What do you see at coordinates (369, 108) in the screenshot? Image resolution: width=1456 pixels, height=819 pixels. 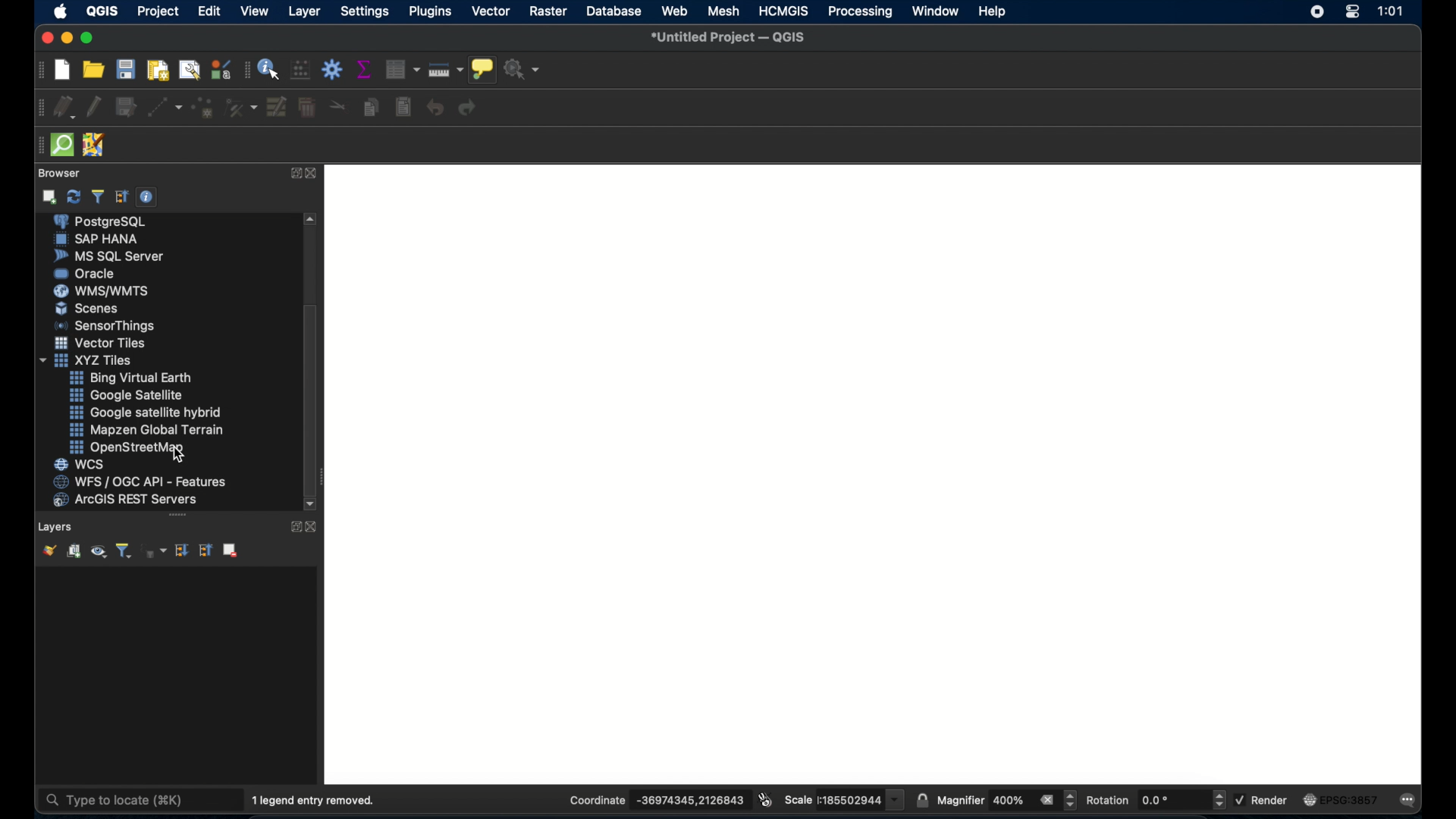 I see `copy features` at bounding box center [369, 108].